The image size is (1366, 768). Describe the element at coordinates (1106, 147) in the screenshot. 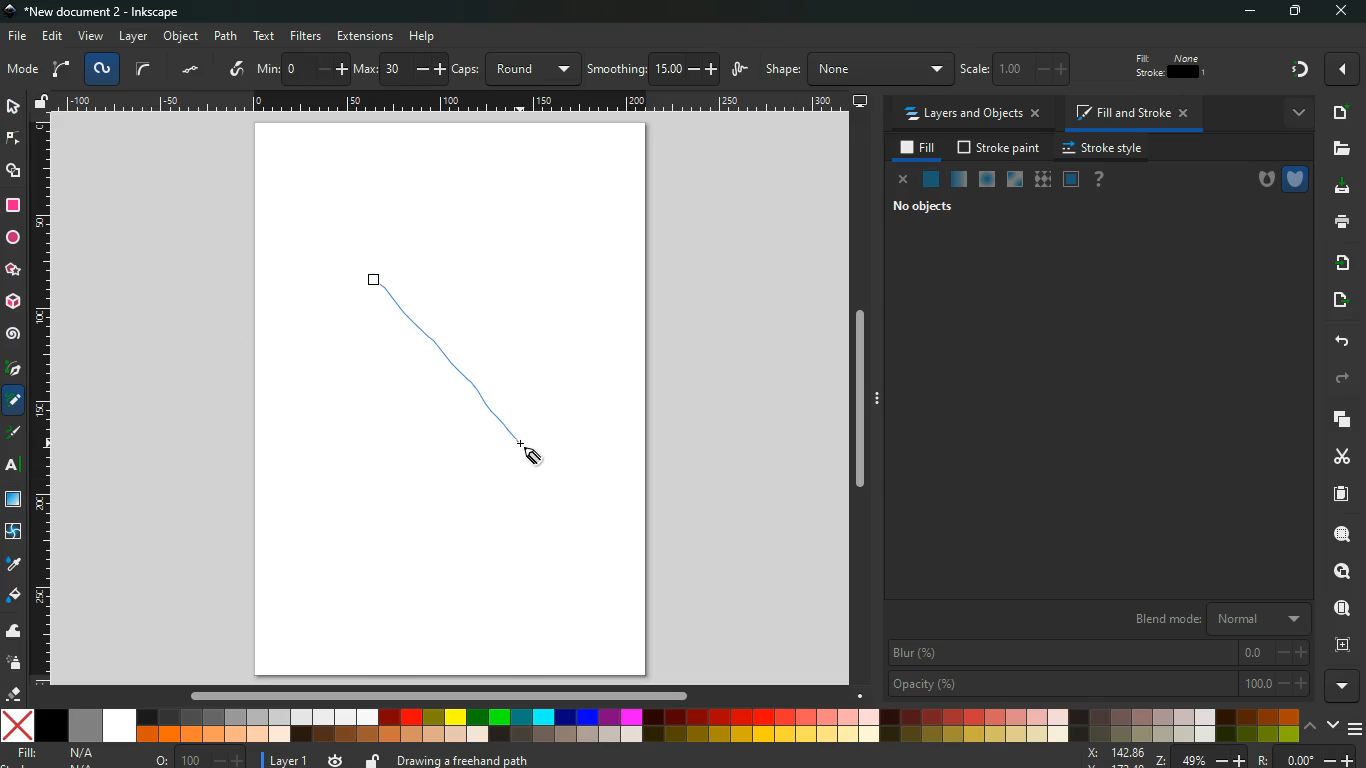

I see `stroke style` at that location.